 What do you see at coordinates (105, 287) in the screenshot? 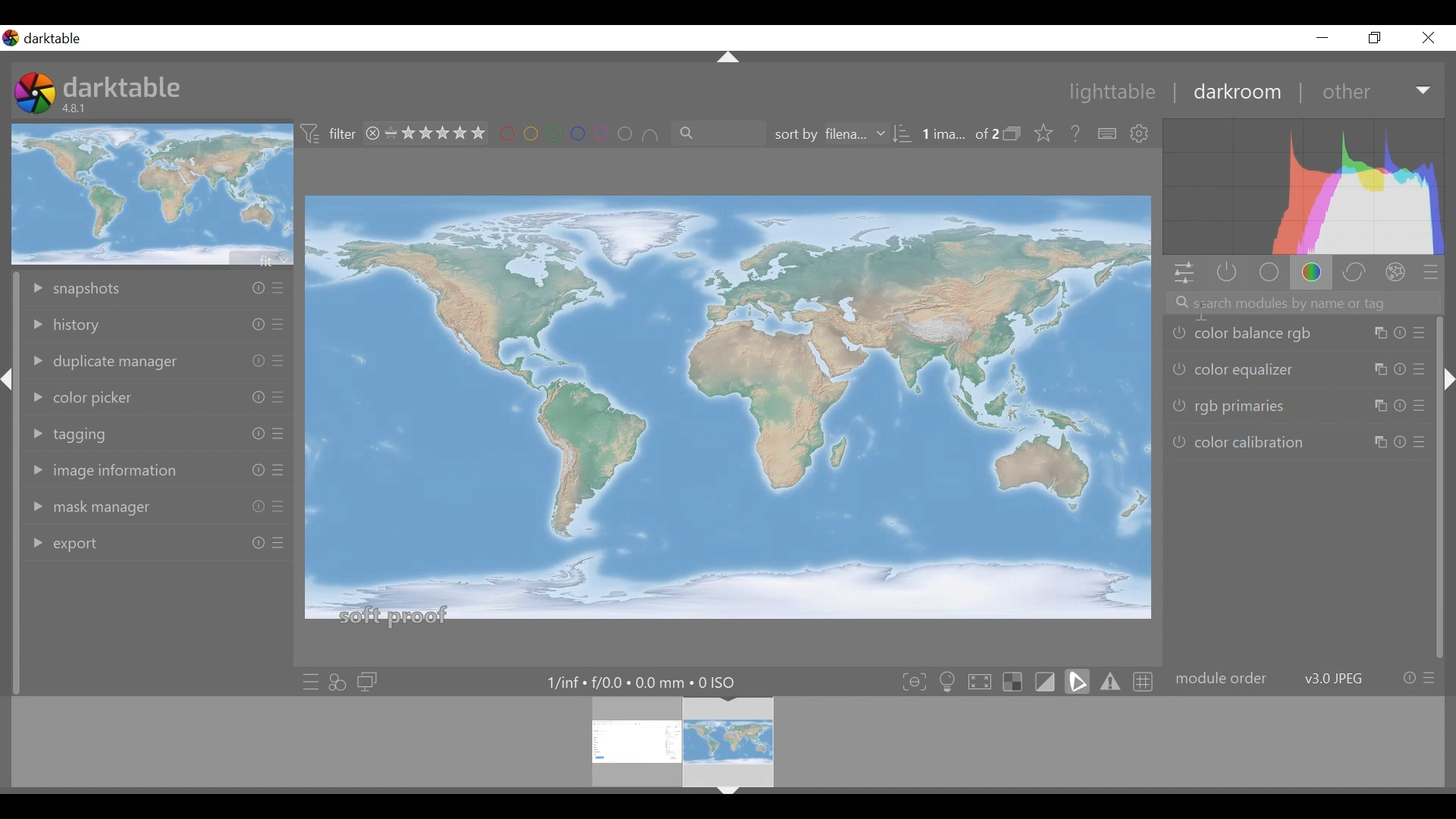
I see `snapshots` at bounding box center [105, 287].